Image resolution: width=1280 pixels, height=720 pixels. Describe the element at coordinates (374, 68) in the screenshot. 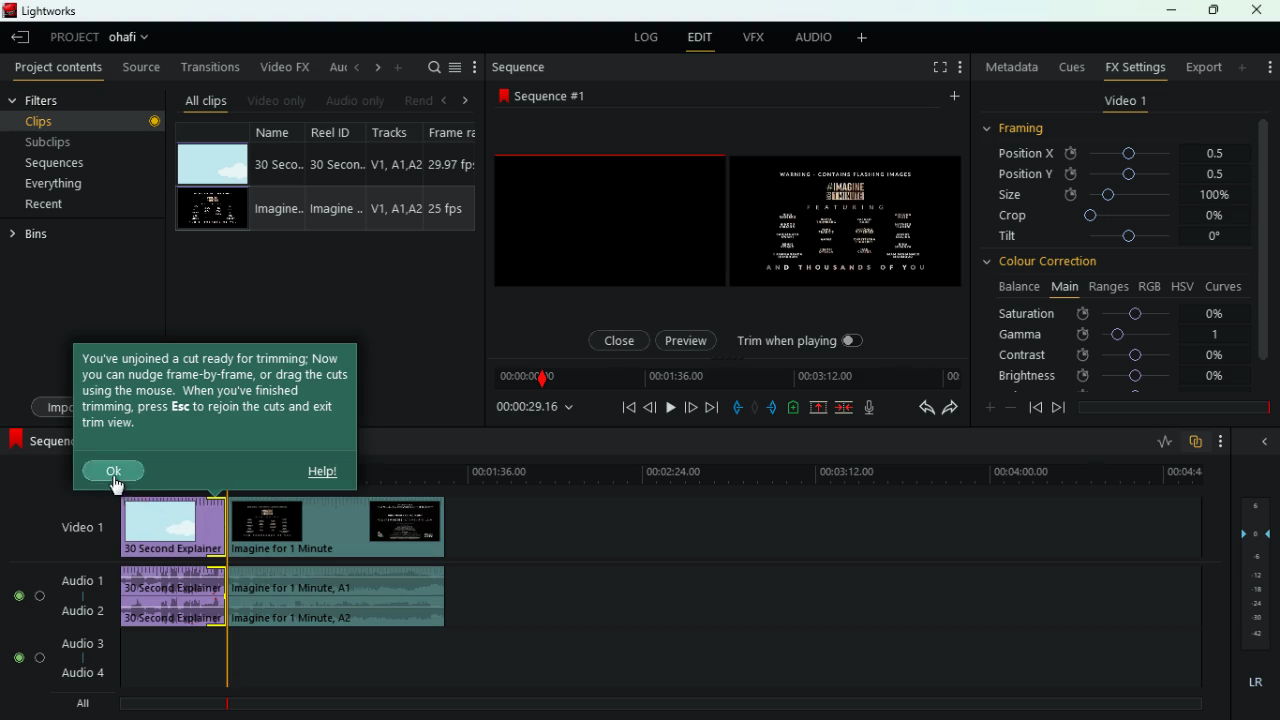

I see `change` at that location.